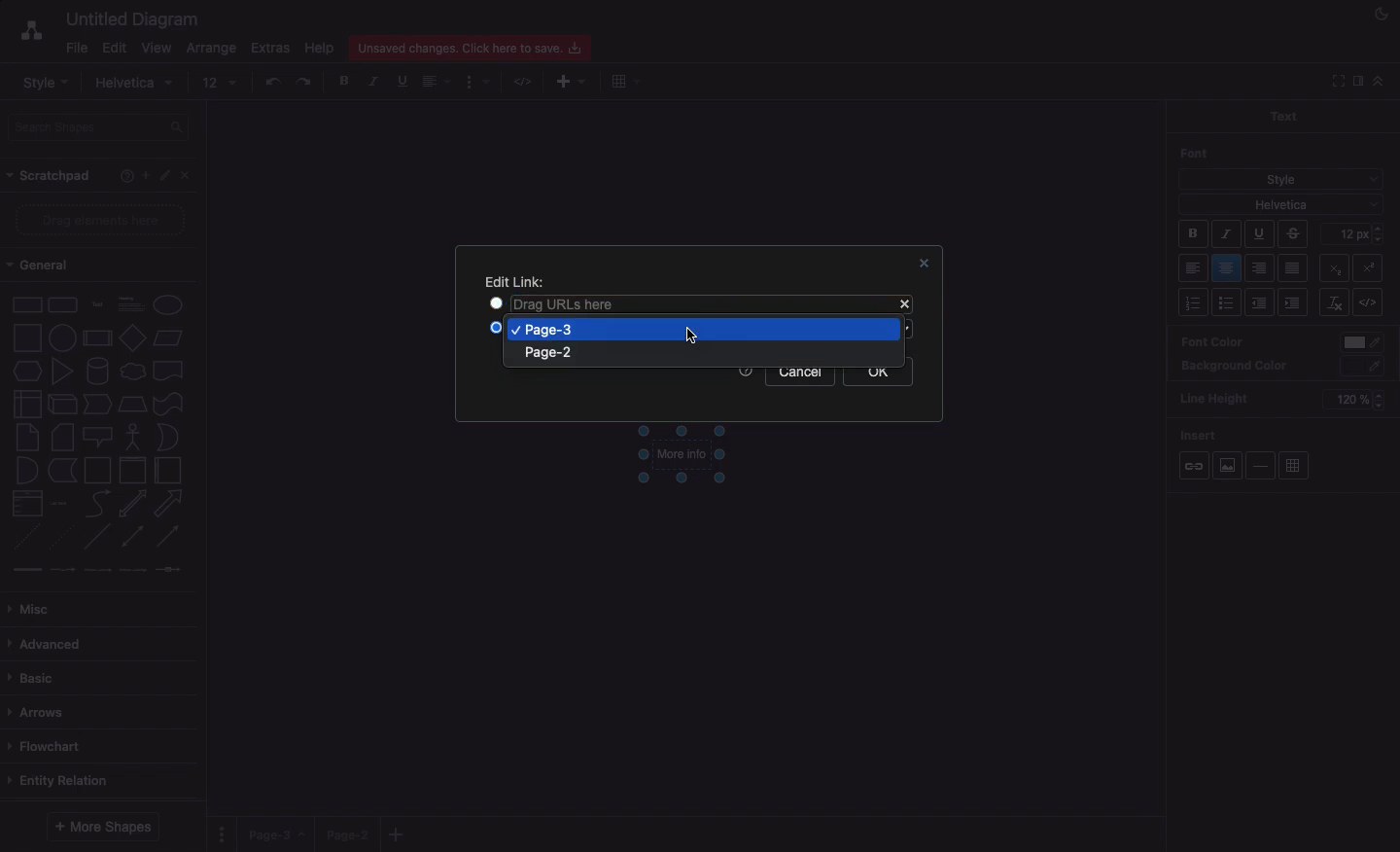 The height and width of the screenshot is (852, 1400). What do you see at coordinates (681, 457) in the screenshot?
I see `More info` at bounding box center [681, 457].